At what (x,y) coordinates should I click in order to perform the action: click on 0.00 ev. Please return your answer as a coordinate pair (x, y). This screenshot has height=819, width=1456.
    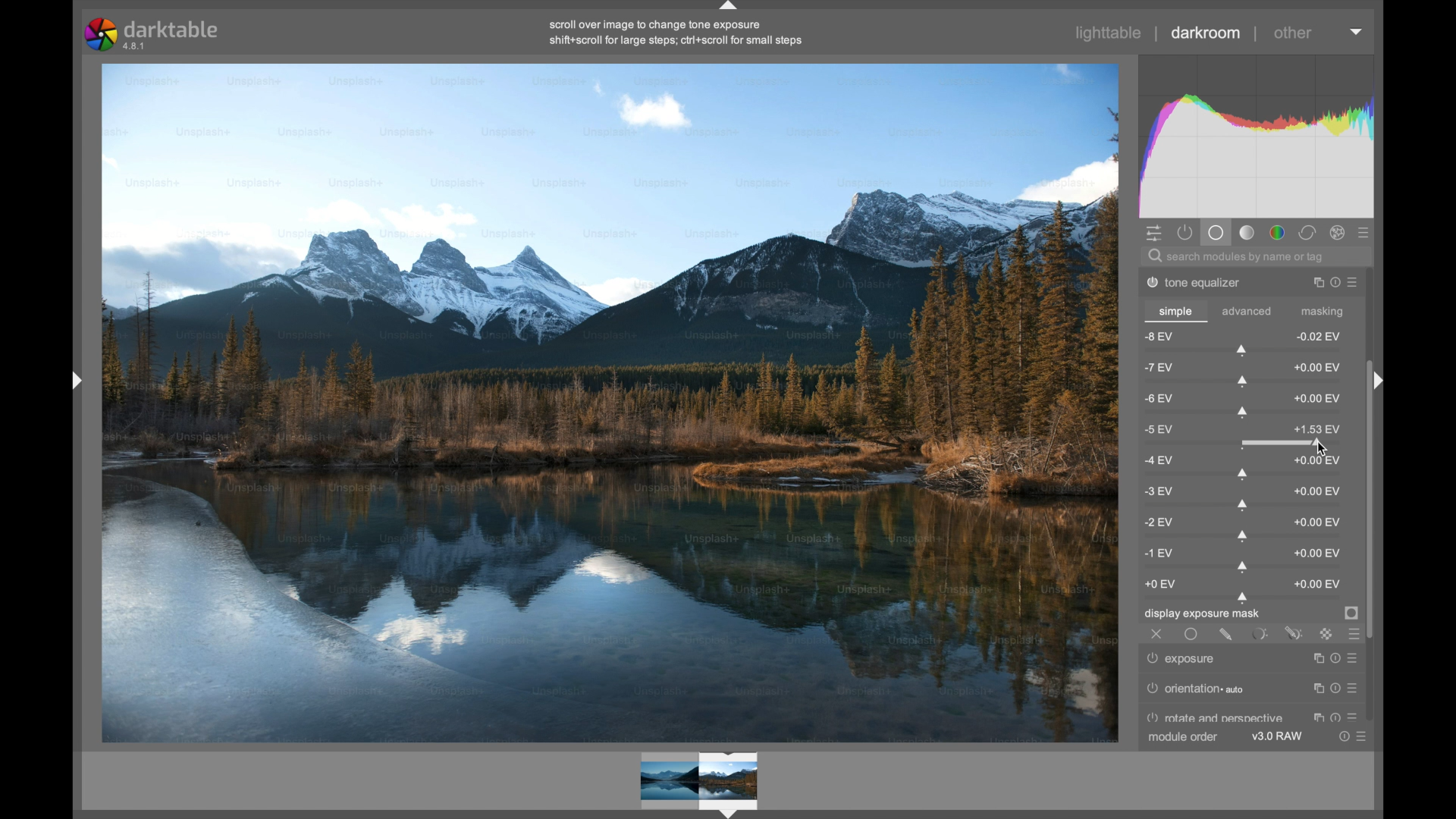
    Looking at the image, I should click on (1316, 553).